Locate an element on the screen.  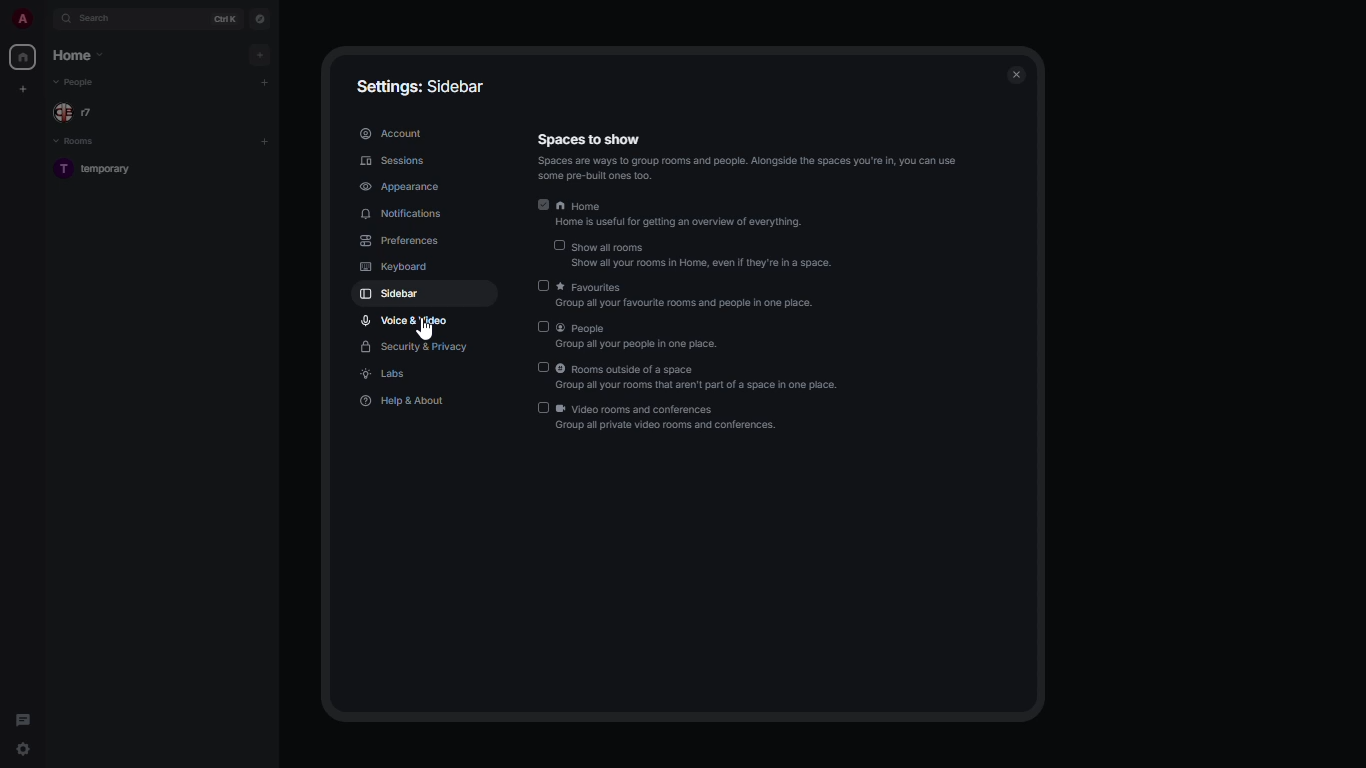
favorites is located at coordinates (690, 296).